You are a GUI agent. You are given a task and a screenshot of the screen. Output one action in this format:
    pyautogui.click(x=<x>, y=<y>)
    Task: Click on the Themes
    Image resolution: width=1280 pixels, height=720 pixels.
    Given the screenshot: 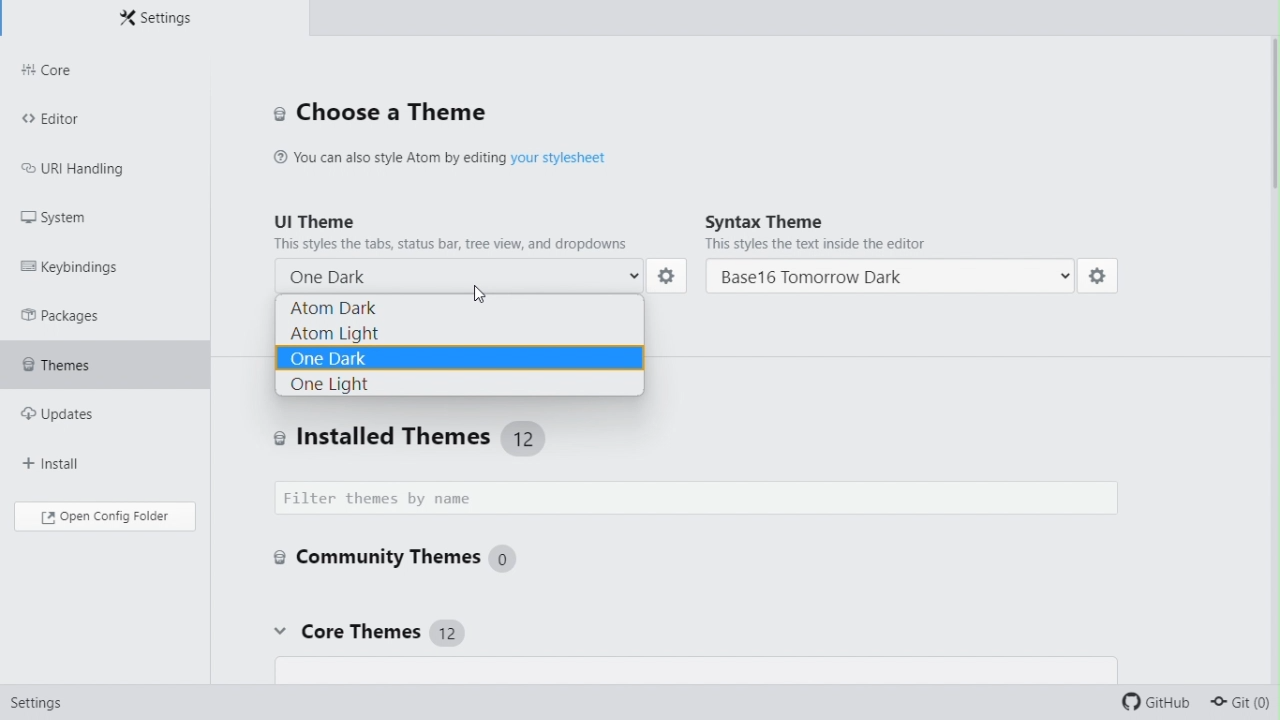 What is the action you would take?
    pyautogui.click(x=105, y=359)
    